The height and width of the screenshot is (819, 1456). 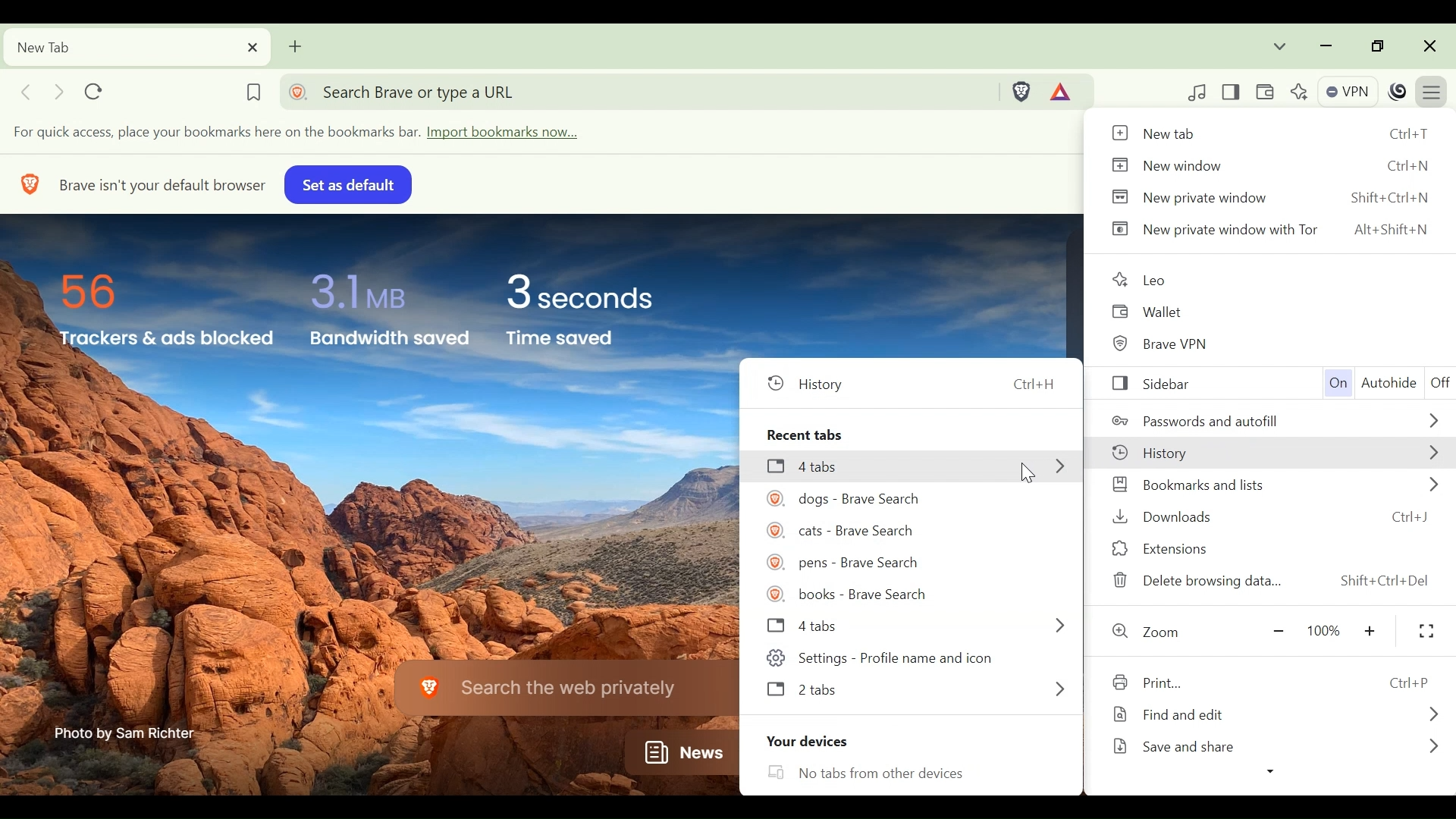 What do you see at coordinates (1272, 484) in the screenshot?
I see `Bookmarks and lists` at bounding box center [1272, 484].